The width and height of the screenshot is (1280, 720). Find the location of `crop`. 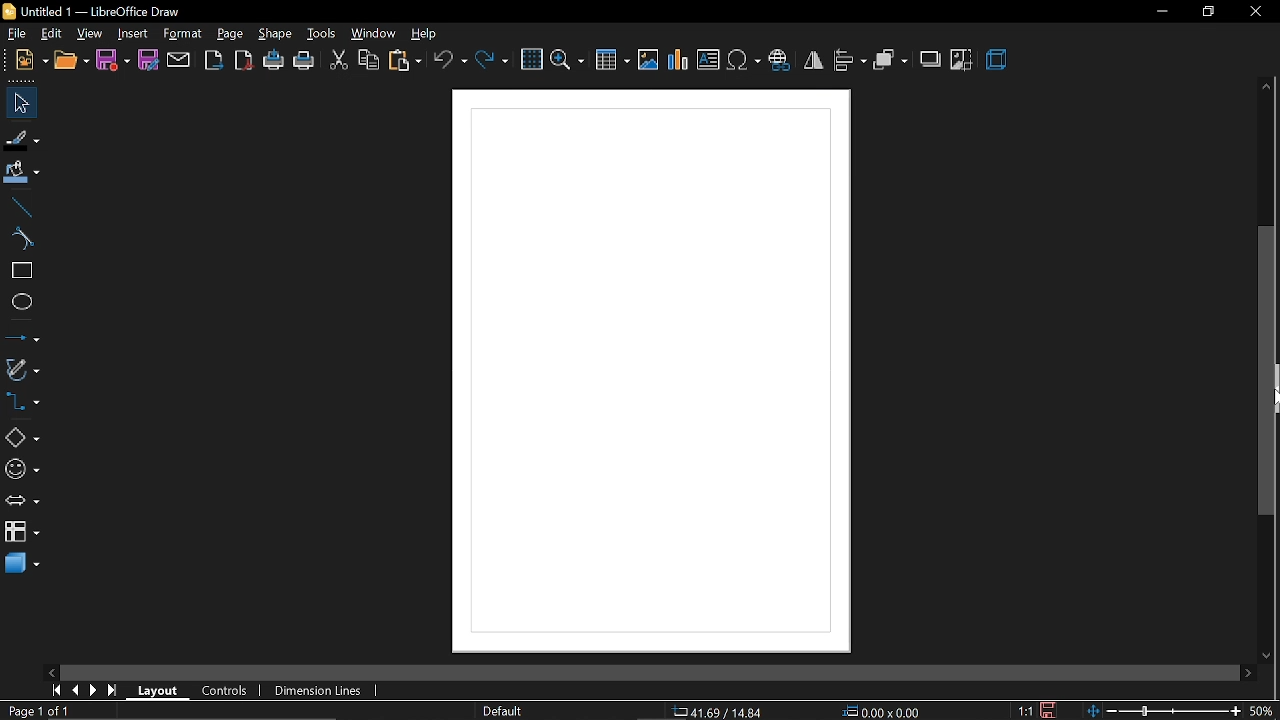

crop is located at coordinates (960, 60).